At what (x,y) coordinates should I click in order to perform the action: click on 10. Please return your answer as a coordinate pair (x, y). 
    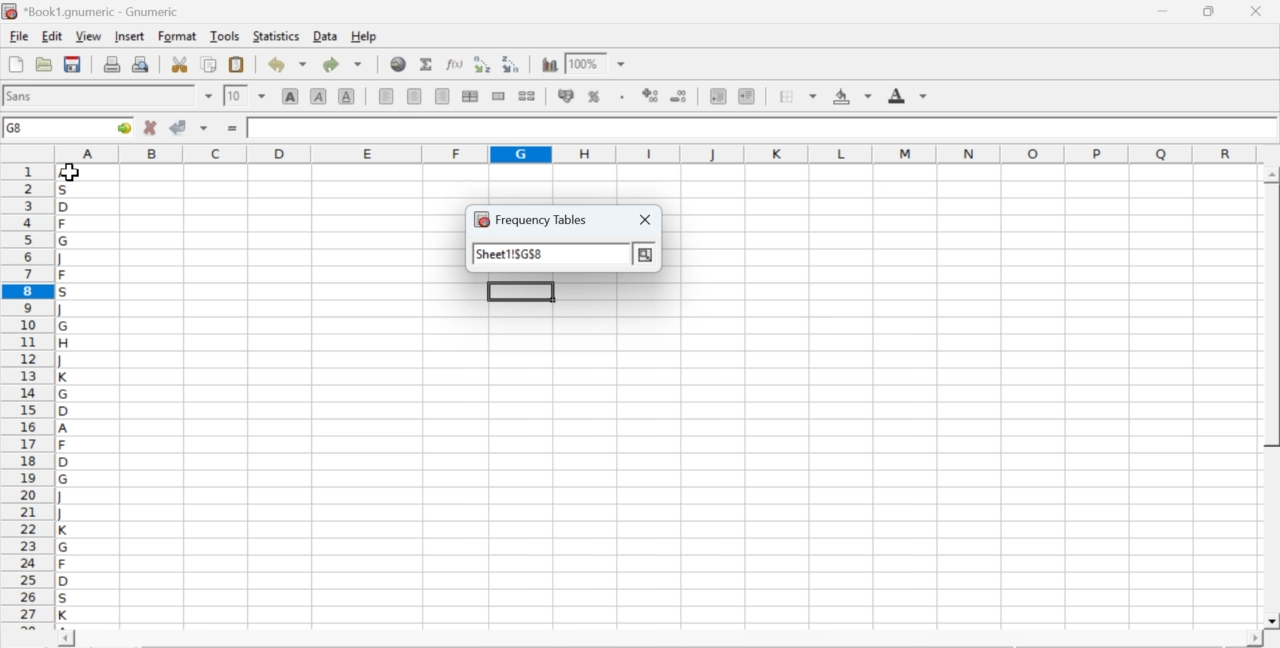
    Looking at the image, I should click on (235, 96).